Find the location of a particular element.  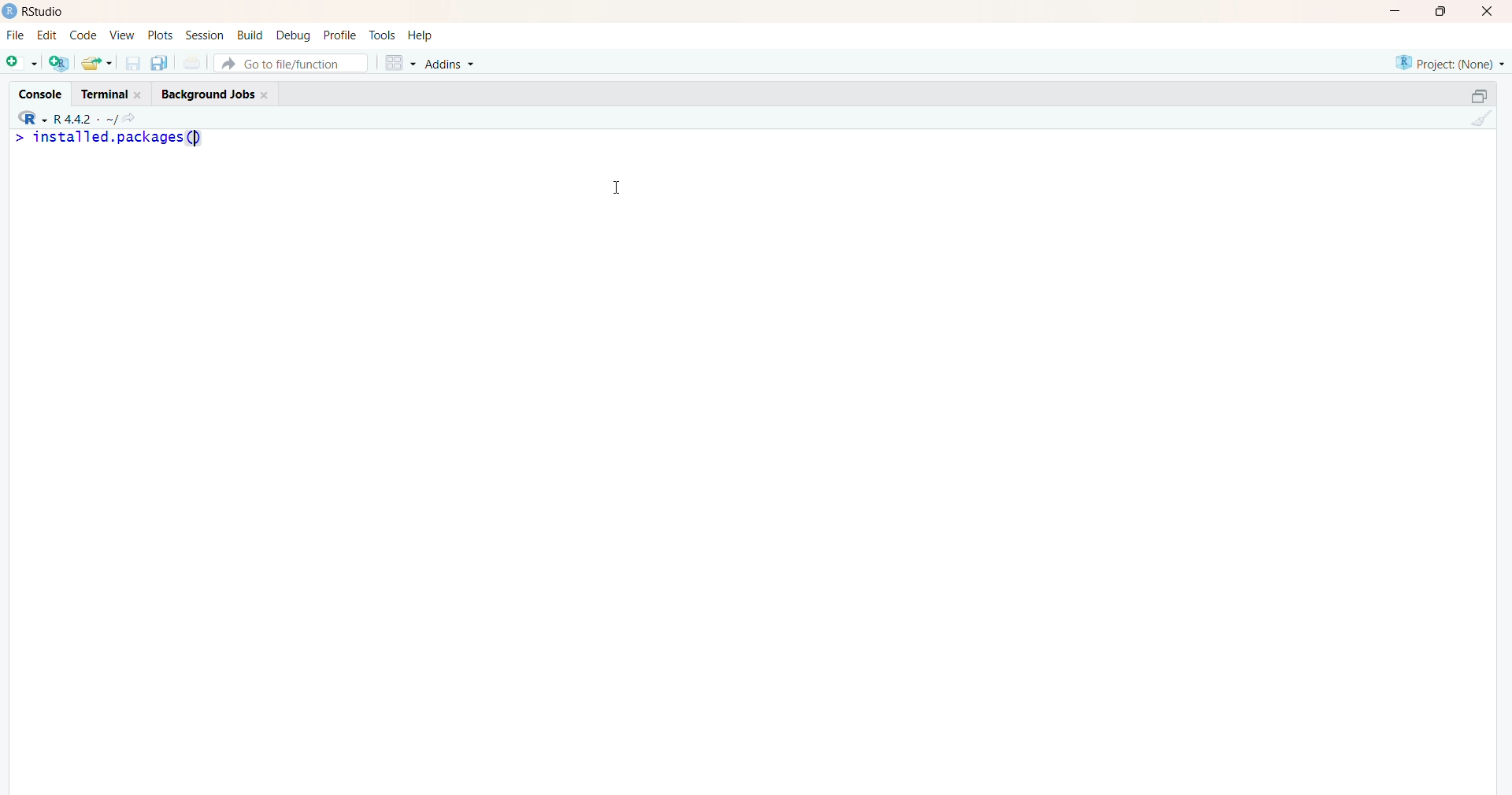

Go to file/function is located at coordinates (295, 63).